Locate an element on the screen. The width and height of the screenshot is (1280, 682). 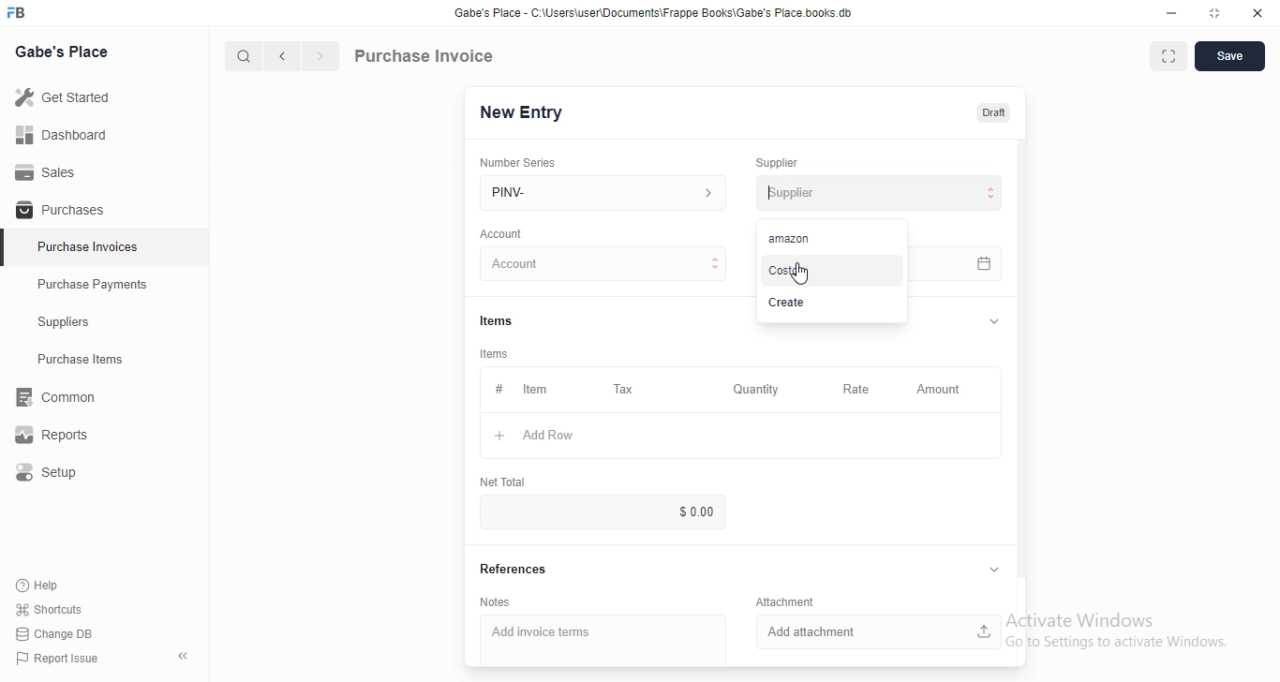
Tax is located at coordinates (626, 389).